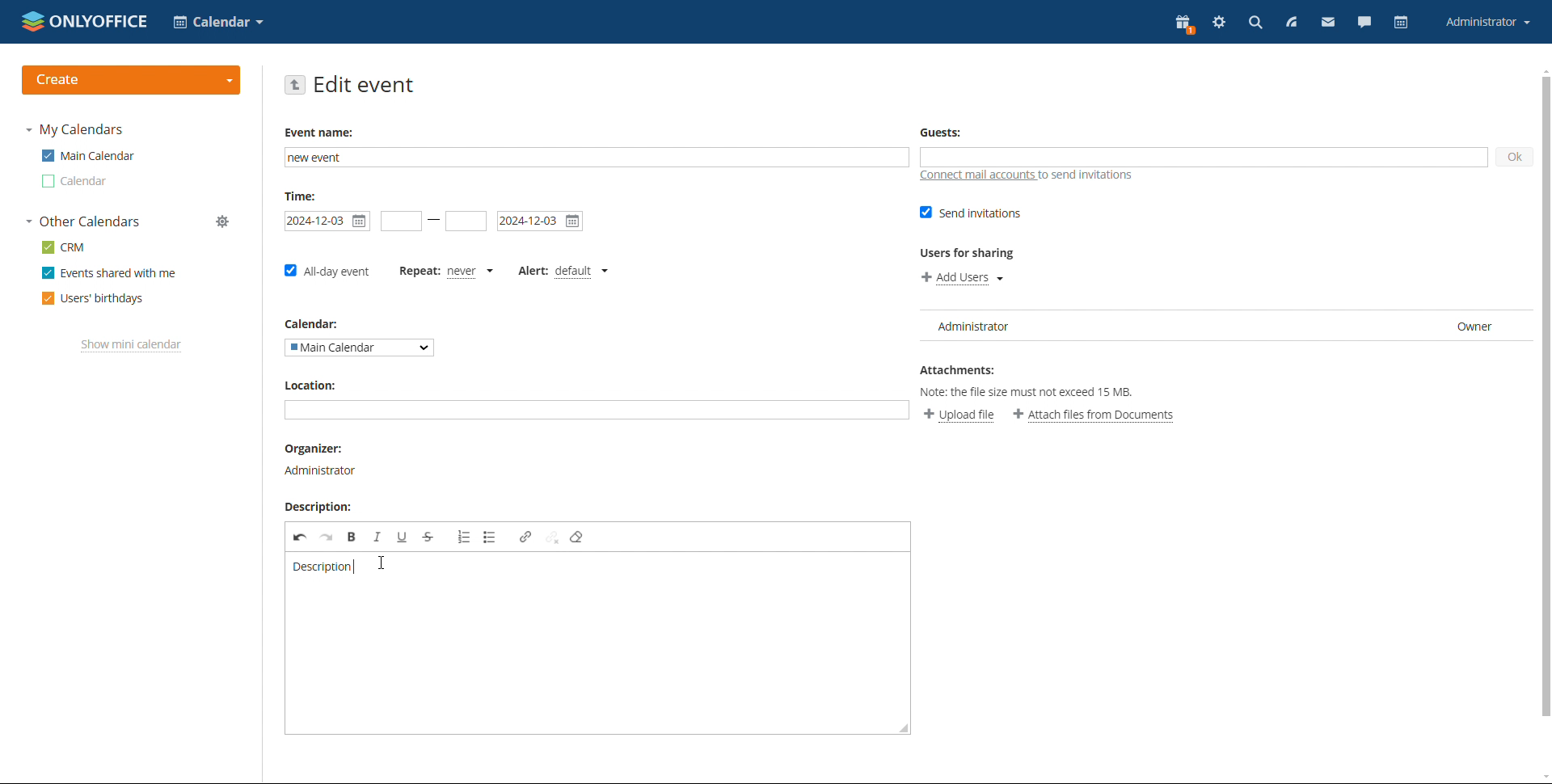 The height and width of the screenshot is (784, 1552). I want to click on redo, so click(327, 536).